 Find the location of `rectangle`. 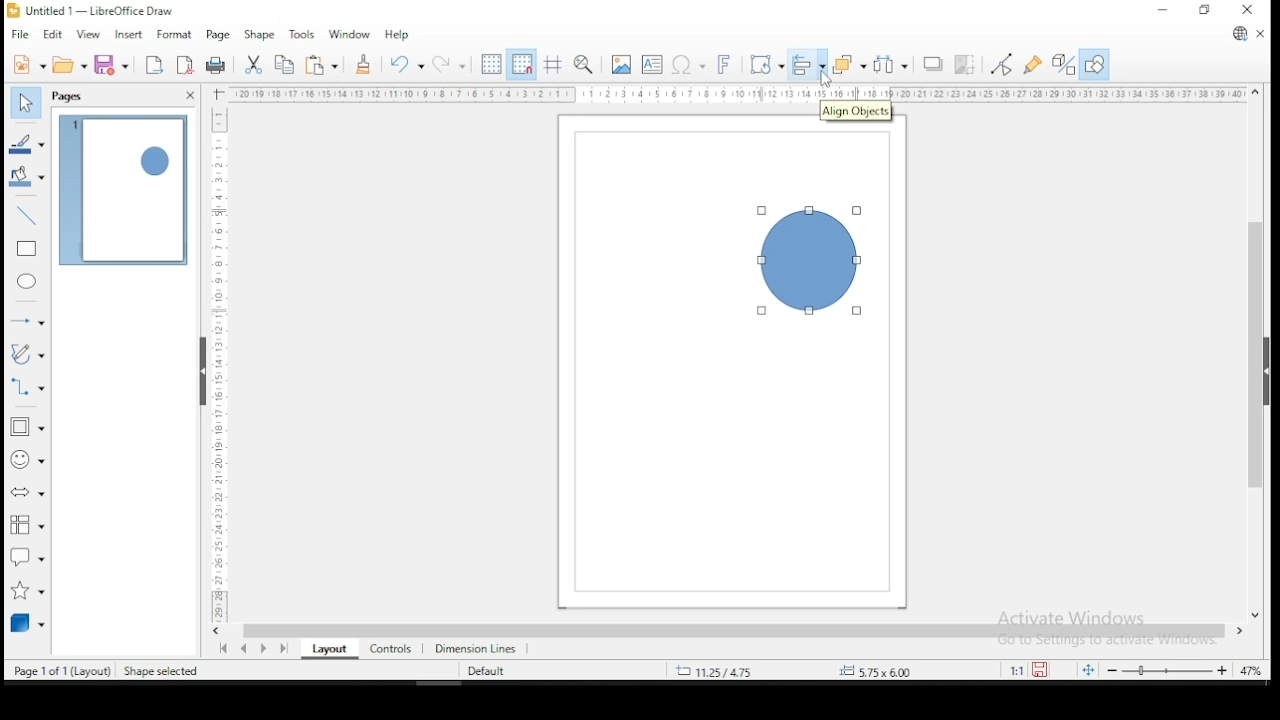

rectangle is located at coordinates (28, 249).